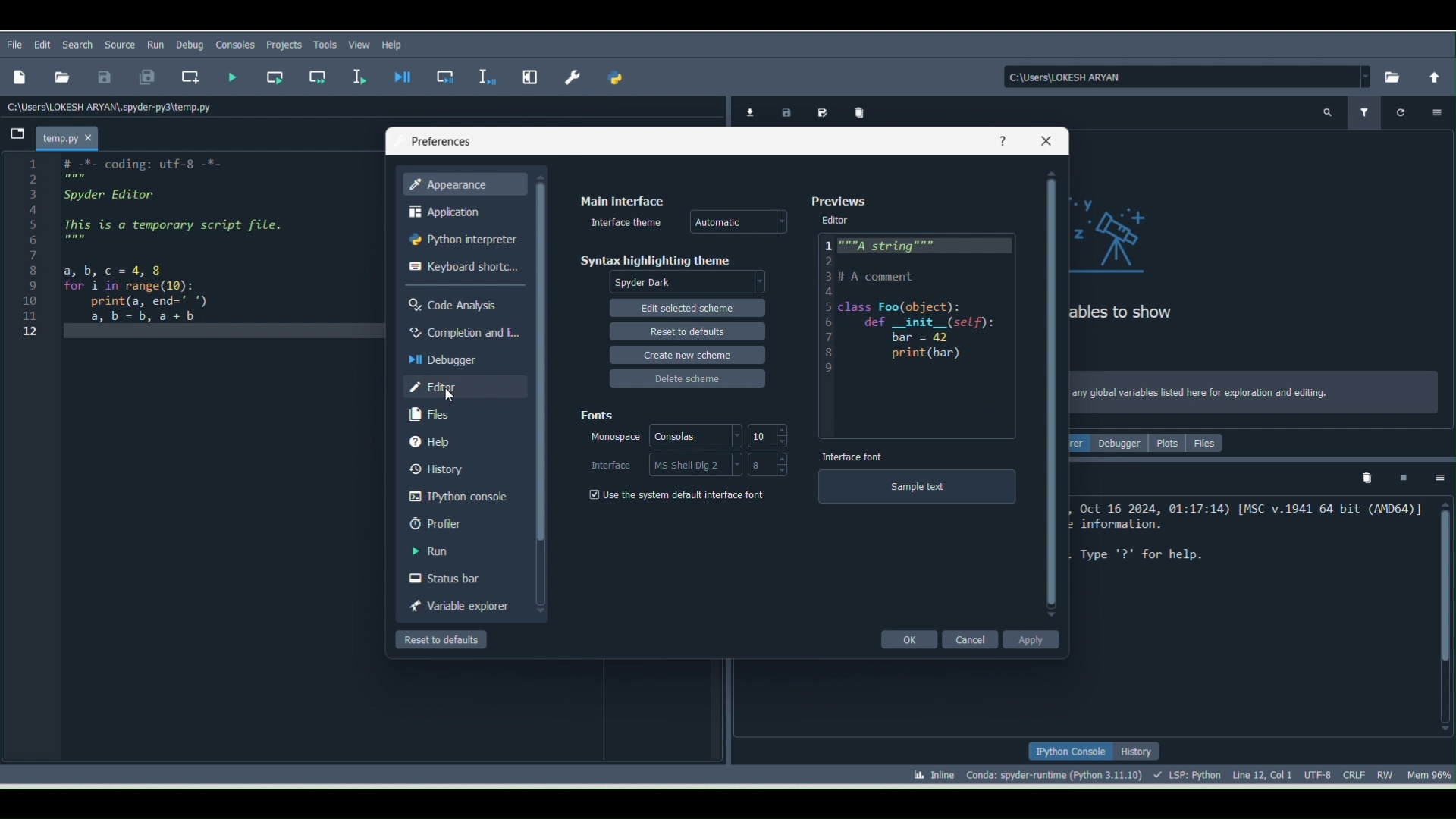 The width and height of the screenshot is (1456, 819). Describe the element at coordinates (461, 211) in the screenshot. I see `Application` at that location.